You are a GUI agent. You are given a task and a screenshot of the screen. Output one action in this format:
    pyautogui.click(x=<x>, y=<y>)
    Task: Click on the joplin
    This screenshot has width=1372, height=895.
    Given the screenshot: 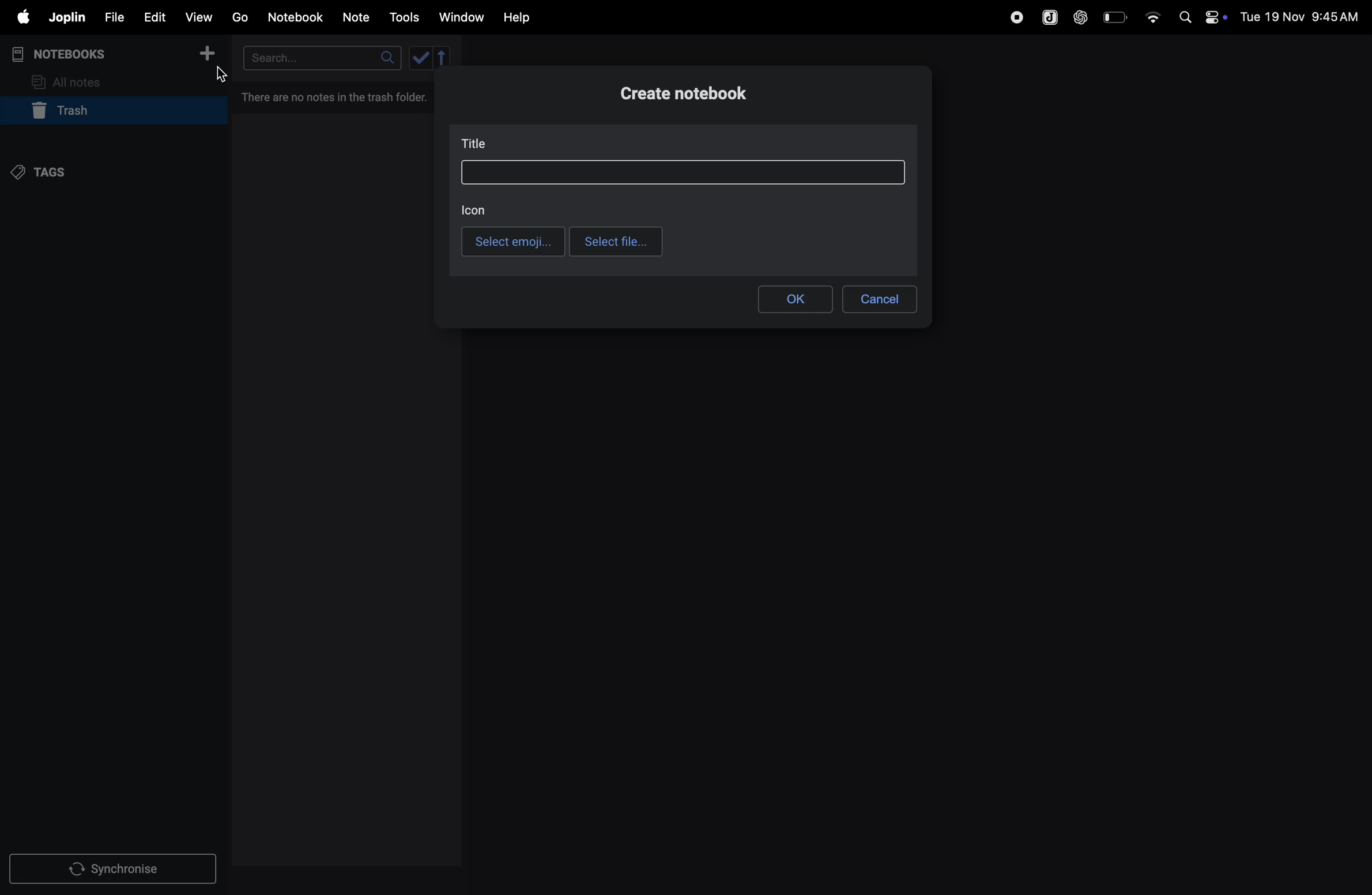 What is the action you would take?
    pyautogui.click(x=1048, y=17)
    